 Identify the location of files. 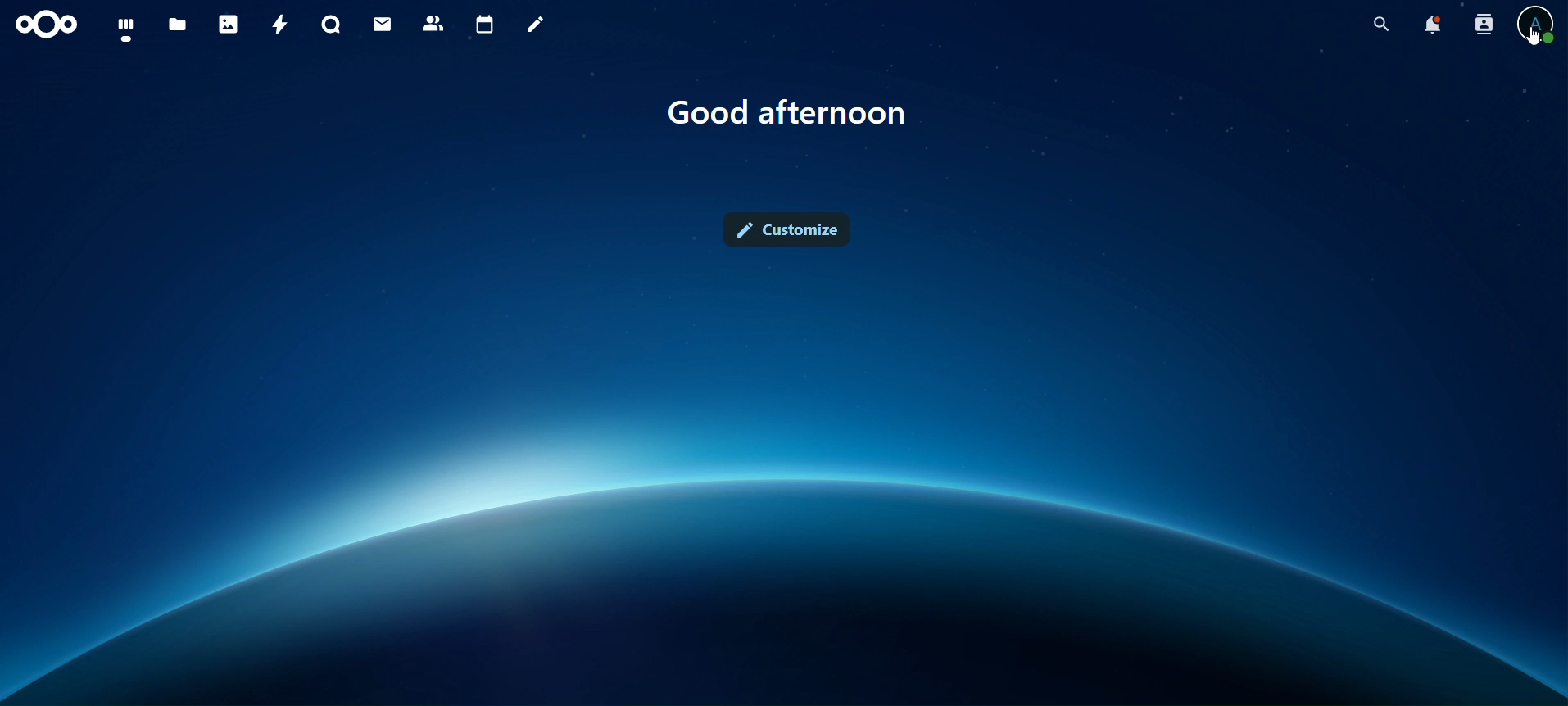
(178, 25).